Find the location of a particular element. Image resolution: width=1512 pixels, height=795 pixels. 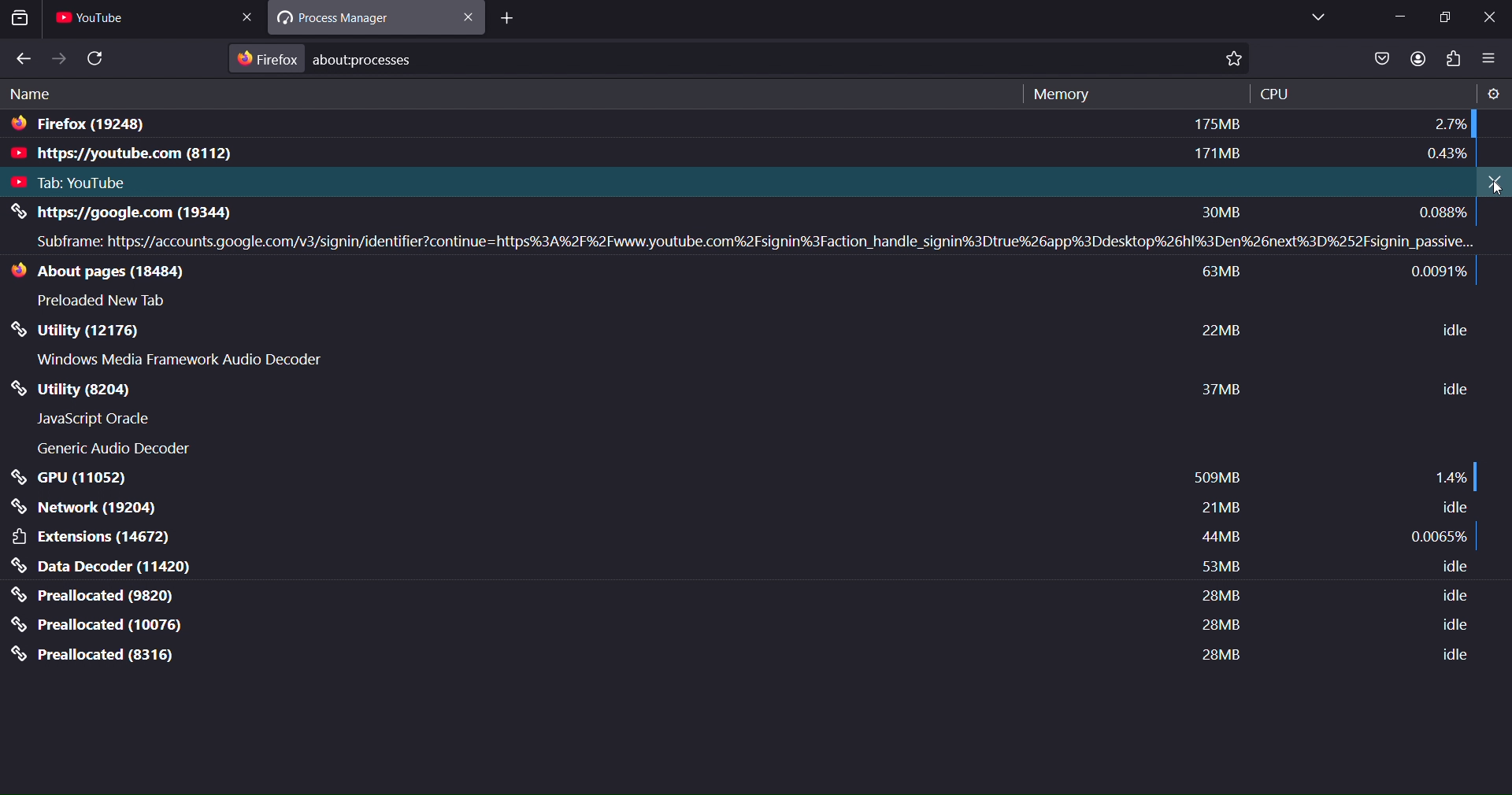

171 MB is located at coordinates (1220, 155).